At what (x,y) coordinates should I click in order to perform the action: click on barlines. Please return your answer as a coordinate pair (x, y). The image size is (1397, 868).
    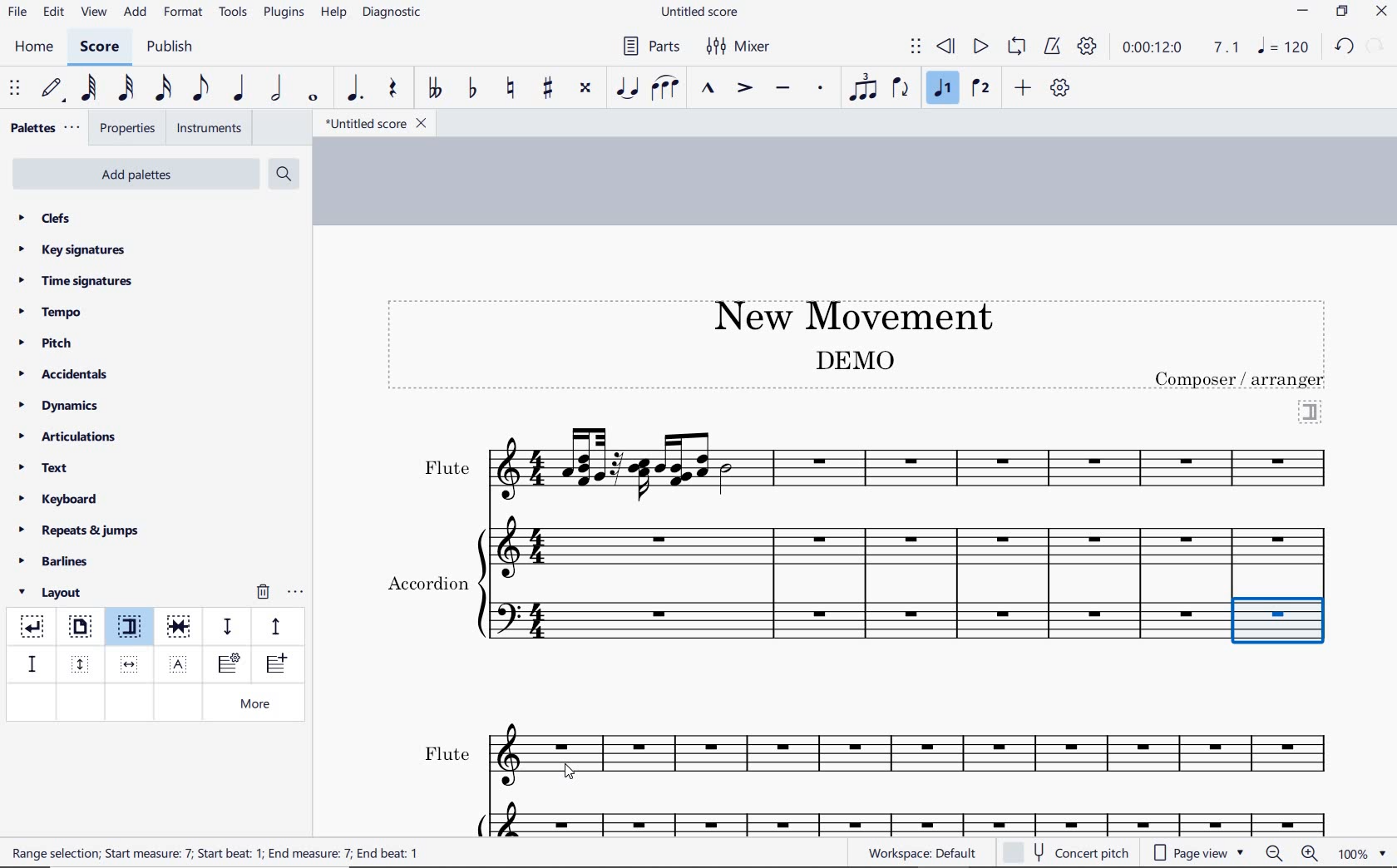
    Looking at the image, I should click on (59, 562).